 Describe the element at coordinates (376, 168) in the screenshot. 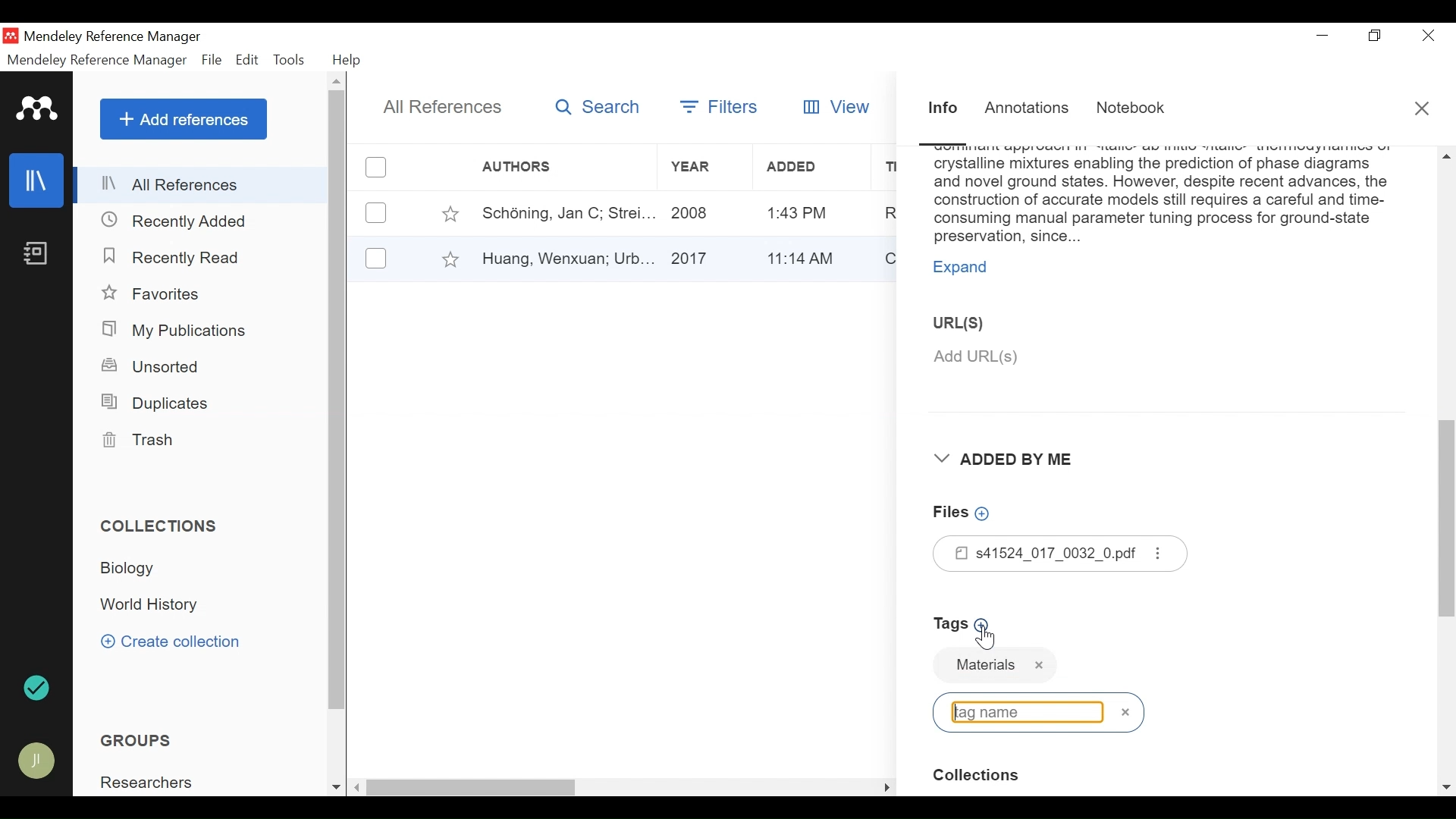

I see `(un)select all` at that location.